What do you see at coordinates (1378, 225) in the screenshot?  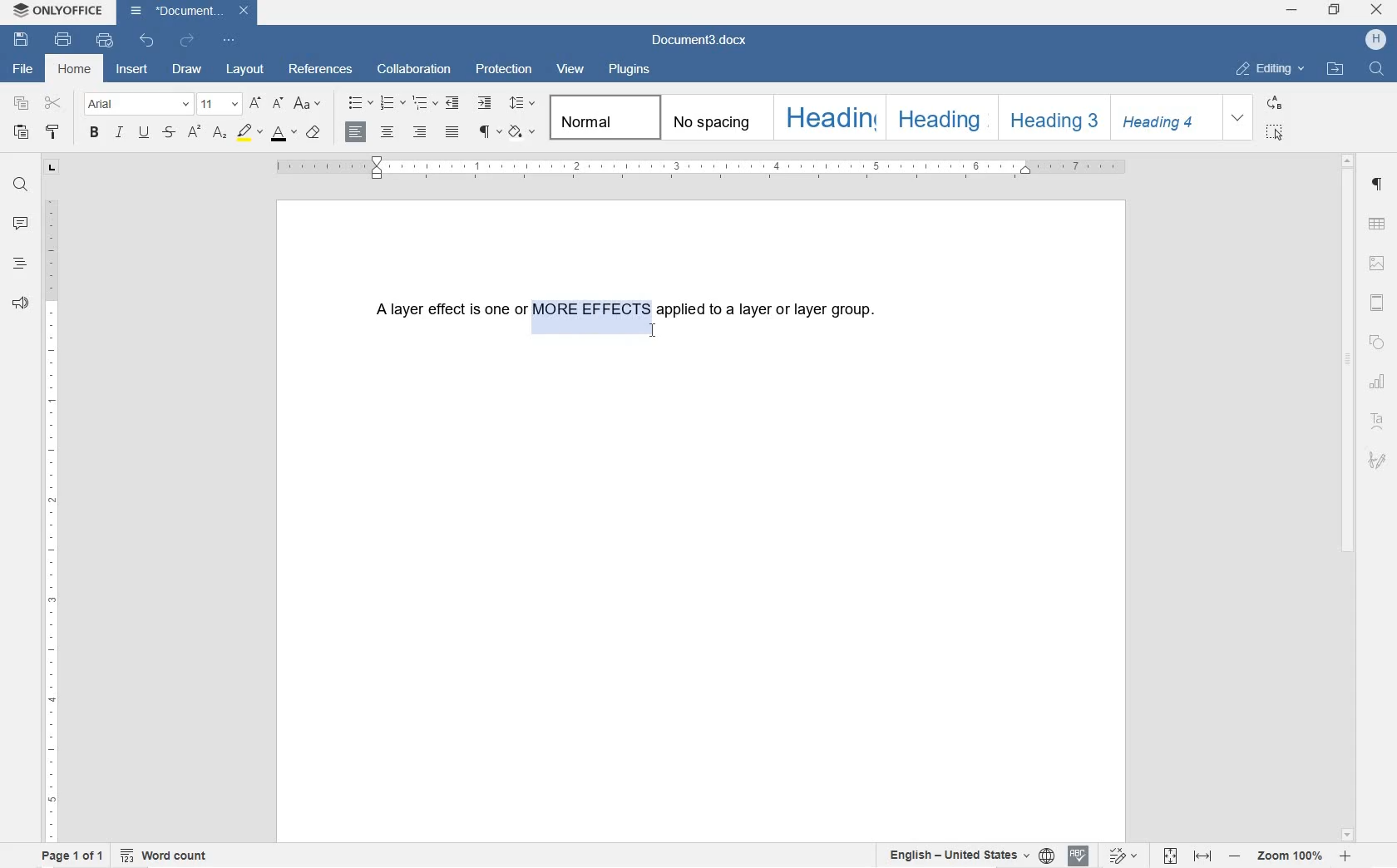 I see `TABLE` at bounding box center [1378, 225].